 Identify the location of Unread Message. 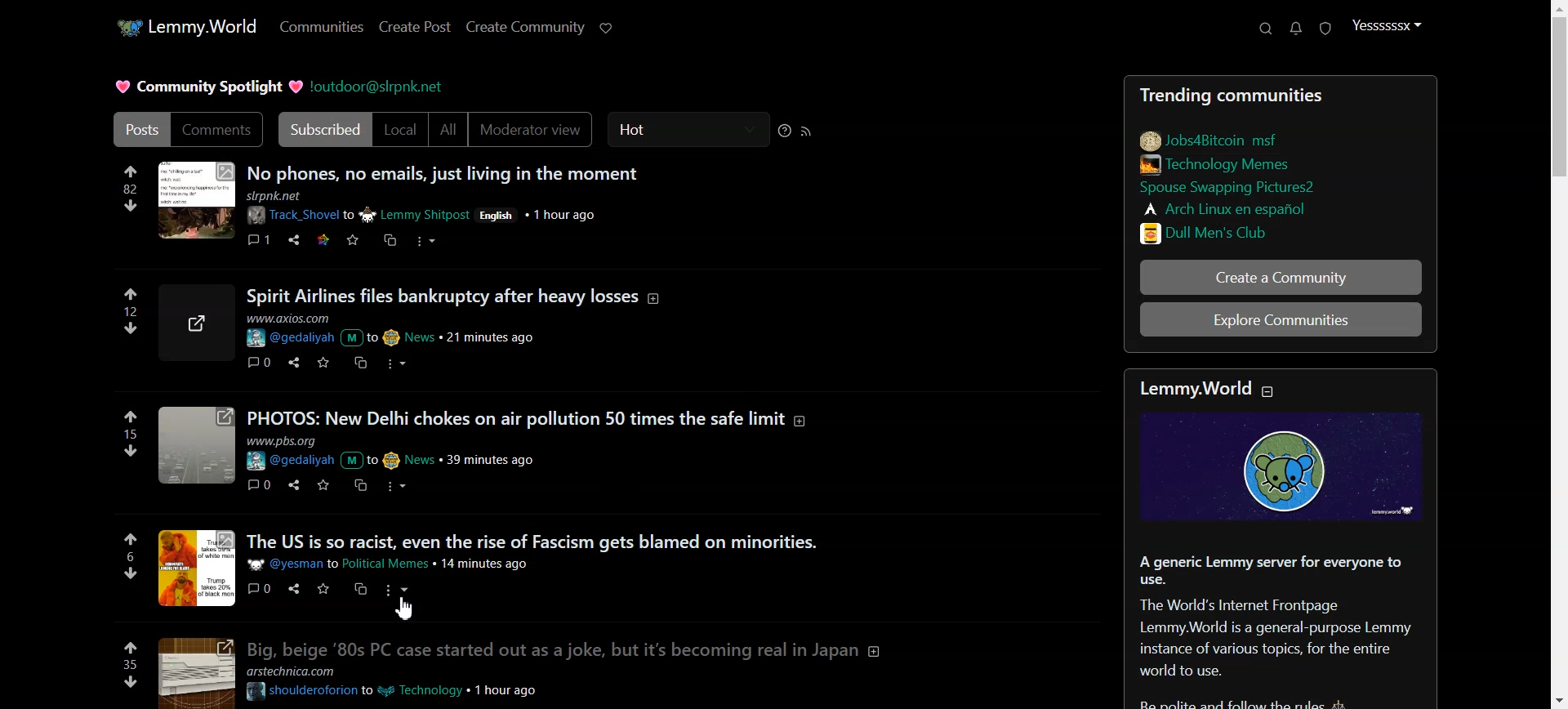
(1296, 29).